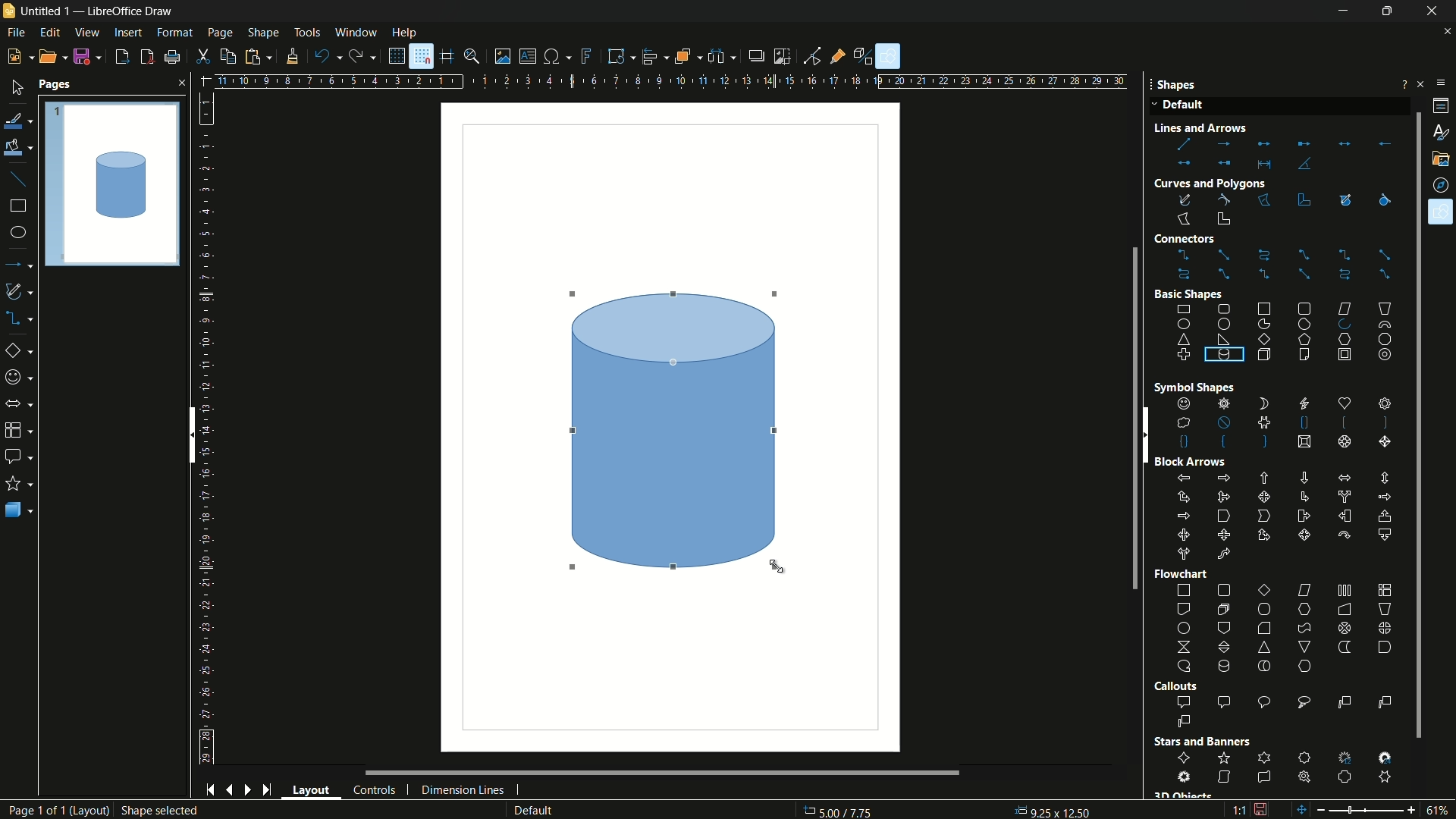 The height and width of the screenshot is (819, 1456). Describe the element at coordinates (17, 148) in the screenshot. I see `fill color` at that location.